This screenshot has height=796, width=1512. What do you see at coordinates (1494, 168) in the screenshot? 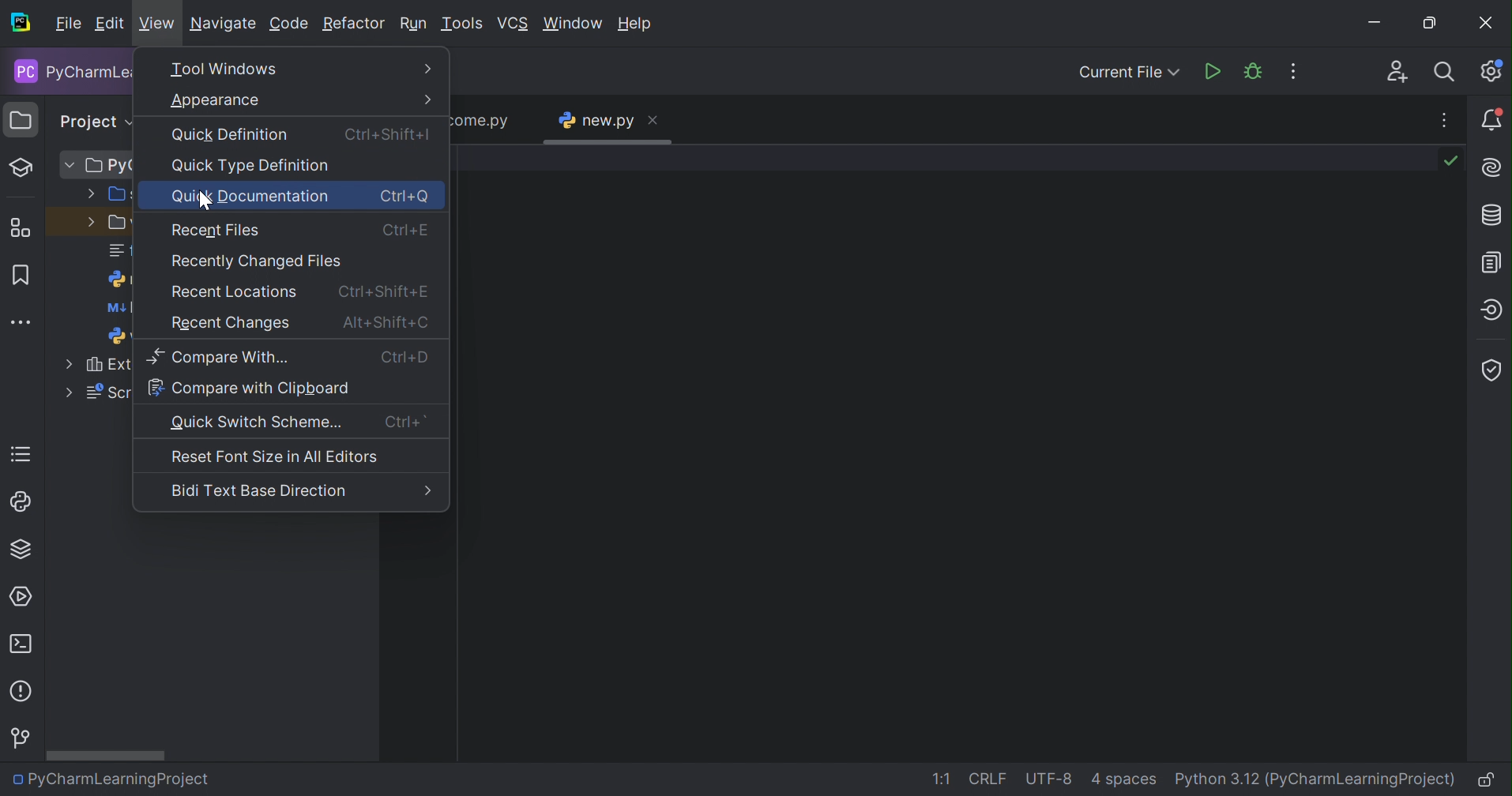
I see `AI Assistance` at bounding box center [1494, 168].